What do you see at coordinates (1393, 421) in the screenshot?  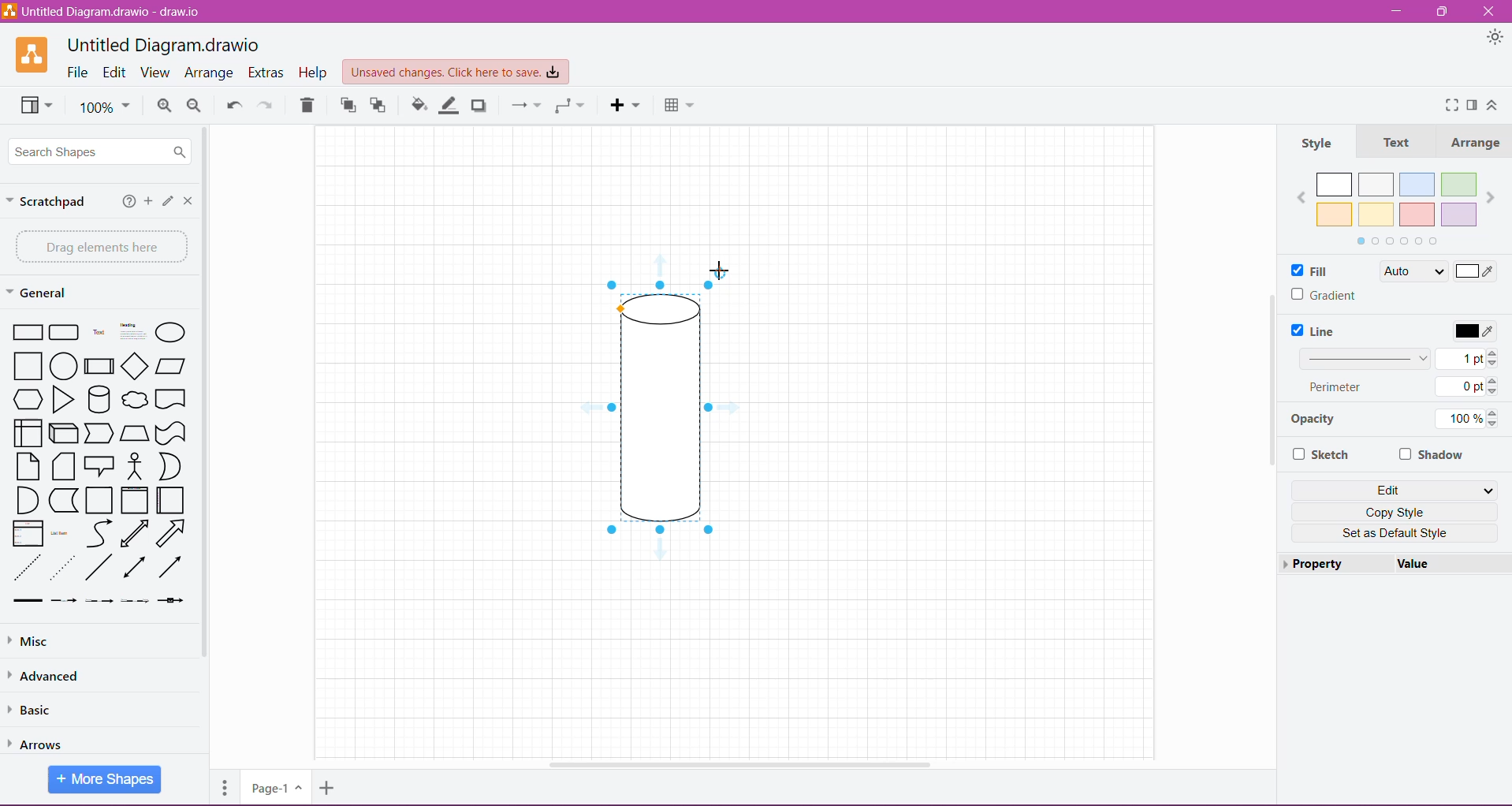 I see `Set Line Opacity` at bounding box center [1393, 421].